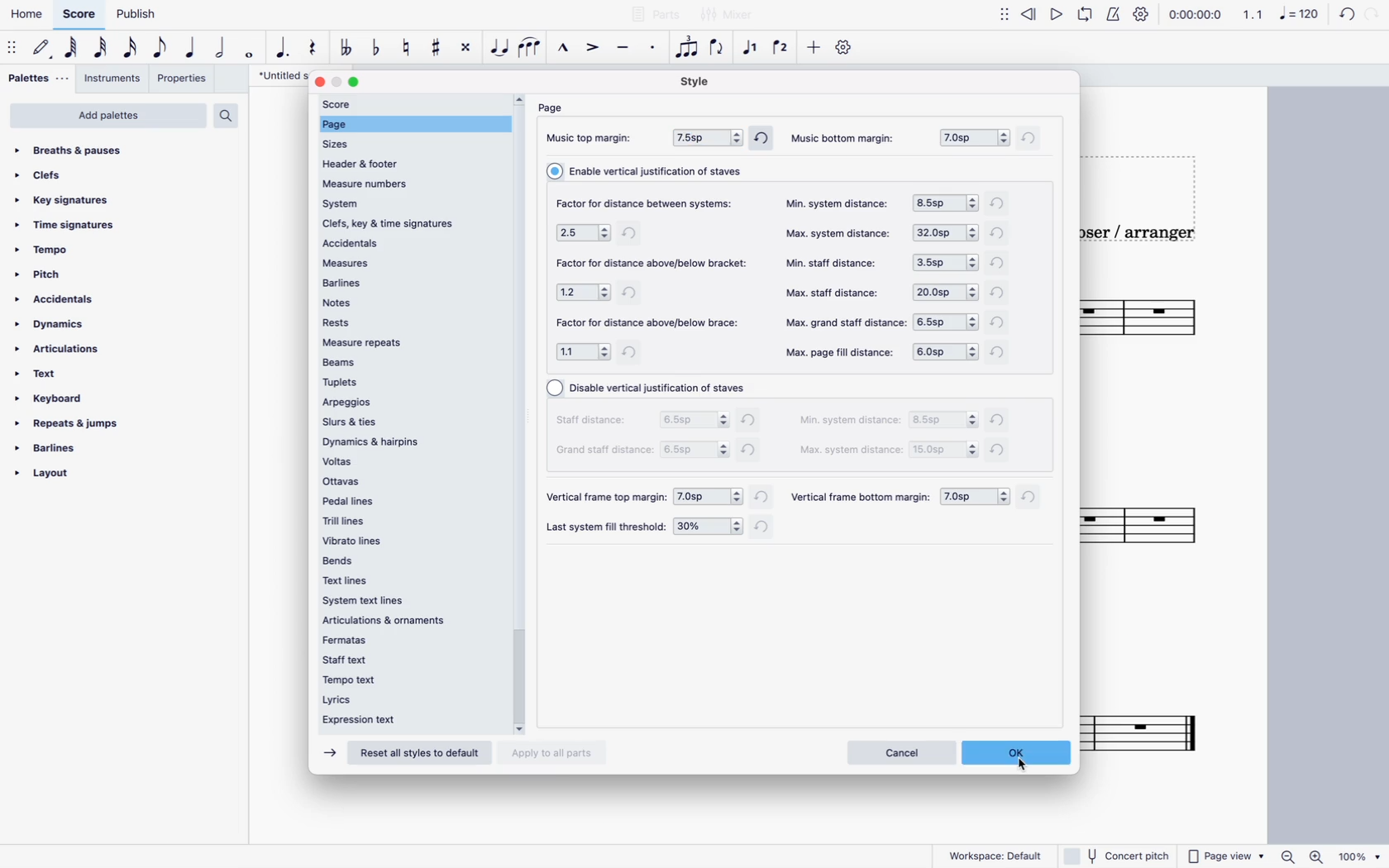  I want to click on score, so click(1156, 524).